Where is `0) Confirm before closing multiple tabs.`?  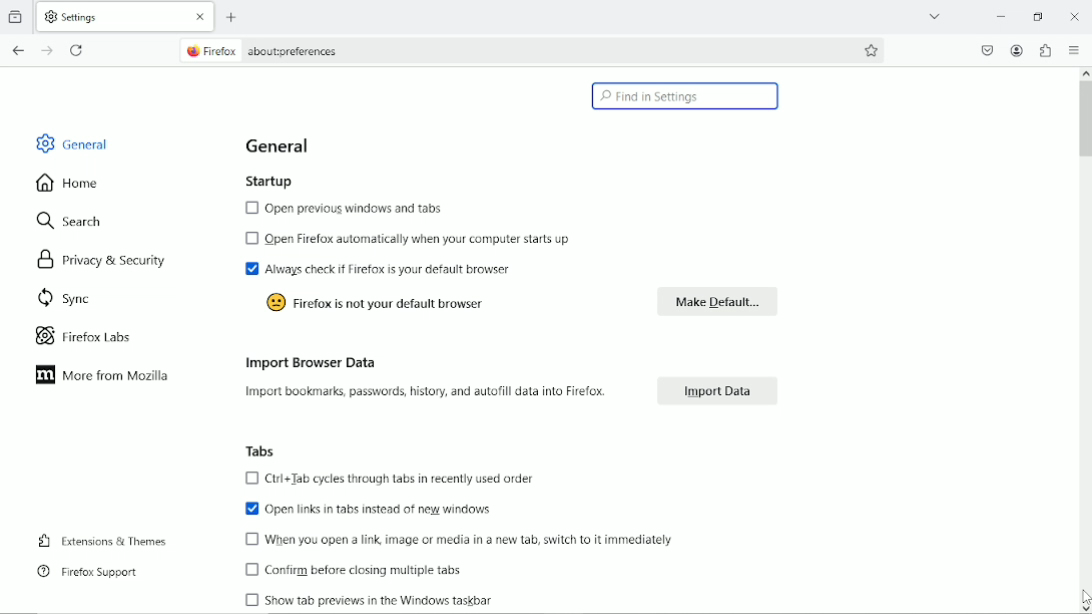 0) Confirm before closing multiple tabs. is located at coordinates (352, 571).